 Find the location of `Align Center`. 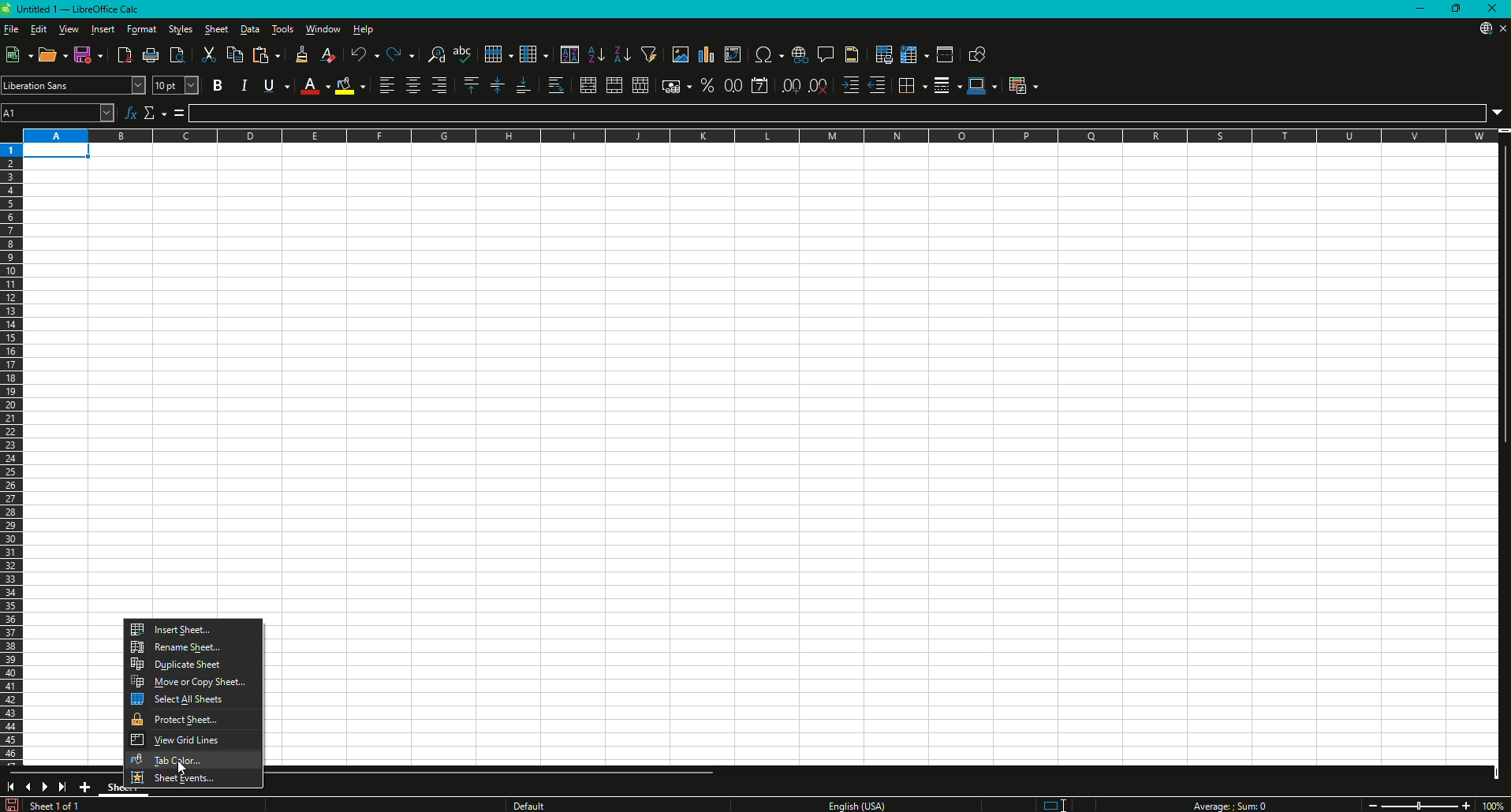

Align Center is located at coordinates (412, 85).